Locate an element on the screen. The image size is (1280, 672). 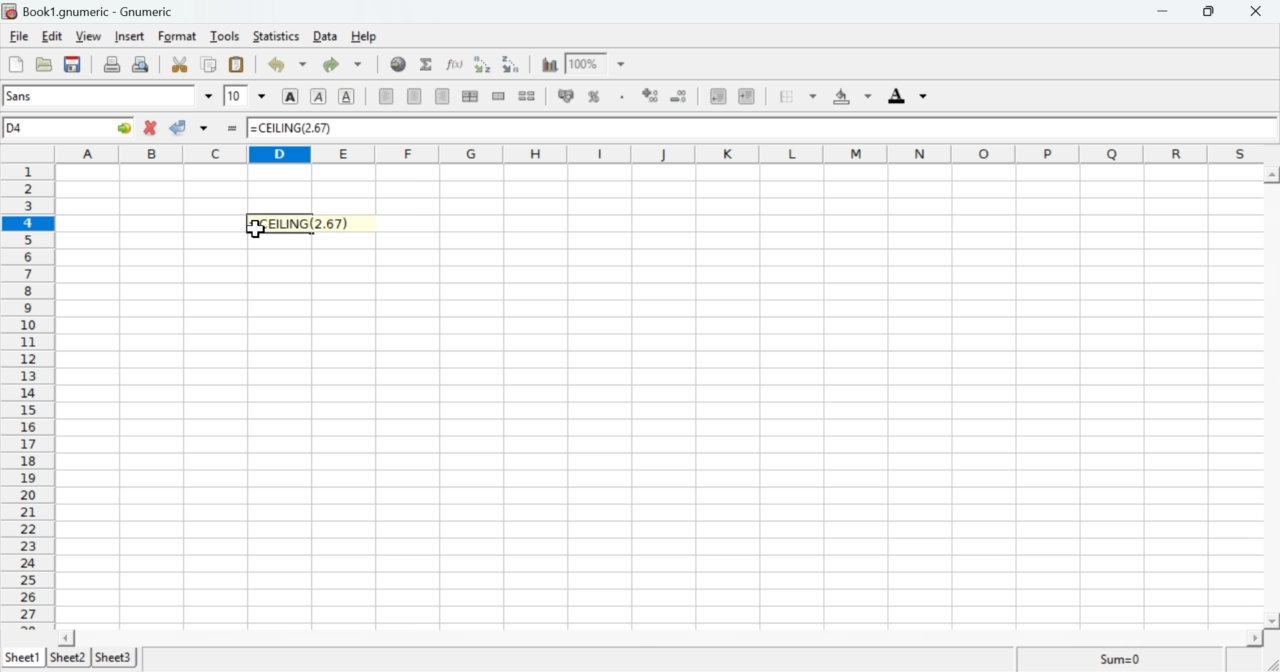
Decrease number of decimals is located at coordinates (682, 96).